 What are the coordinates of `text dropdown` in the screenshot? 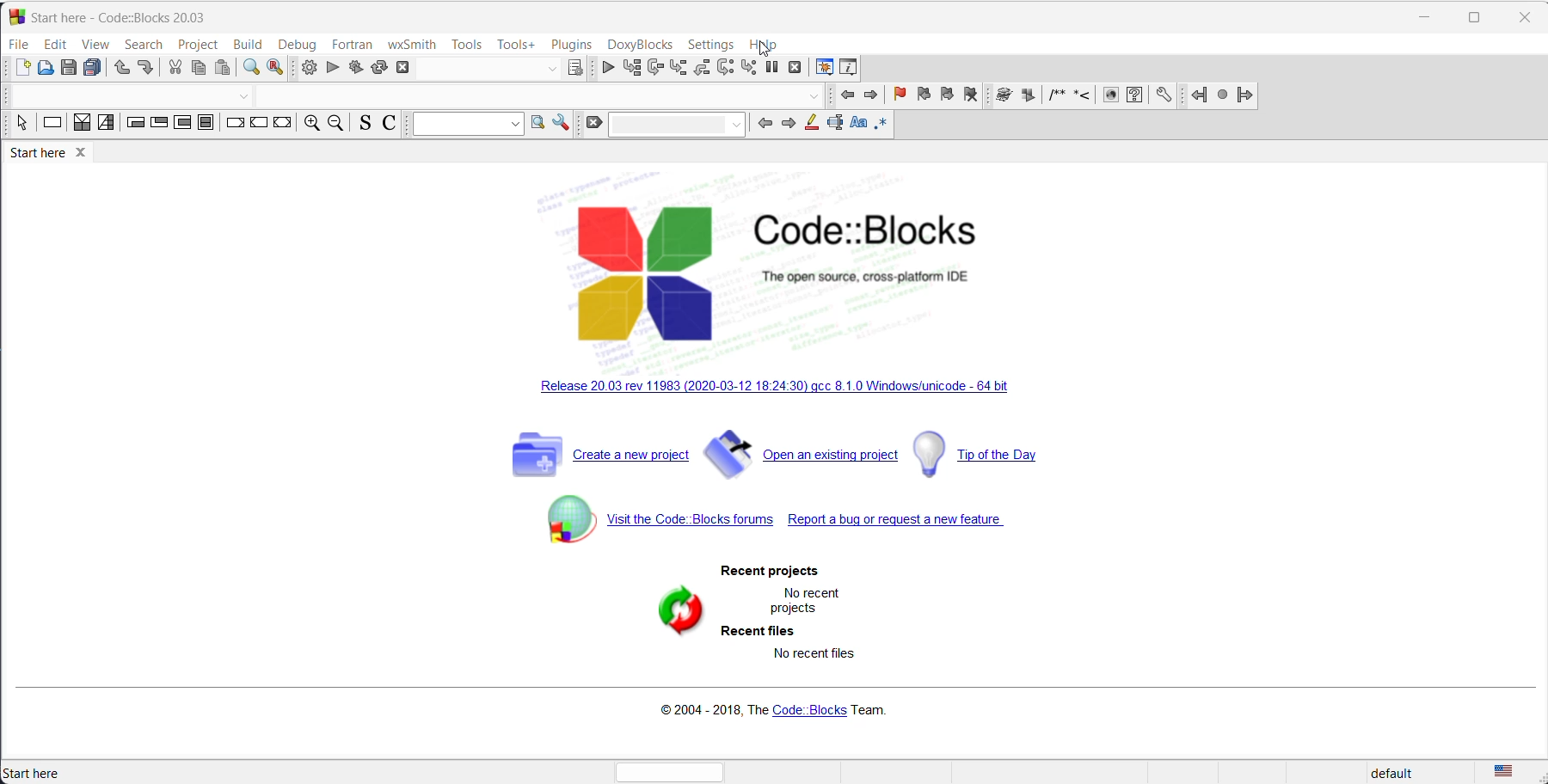 It's located at (678, 126).